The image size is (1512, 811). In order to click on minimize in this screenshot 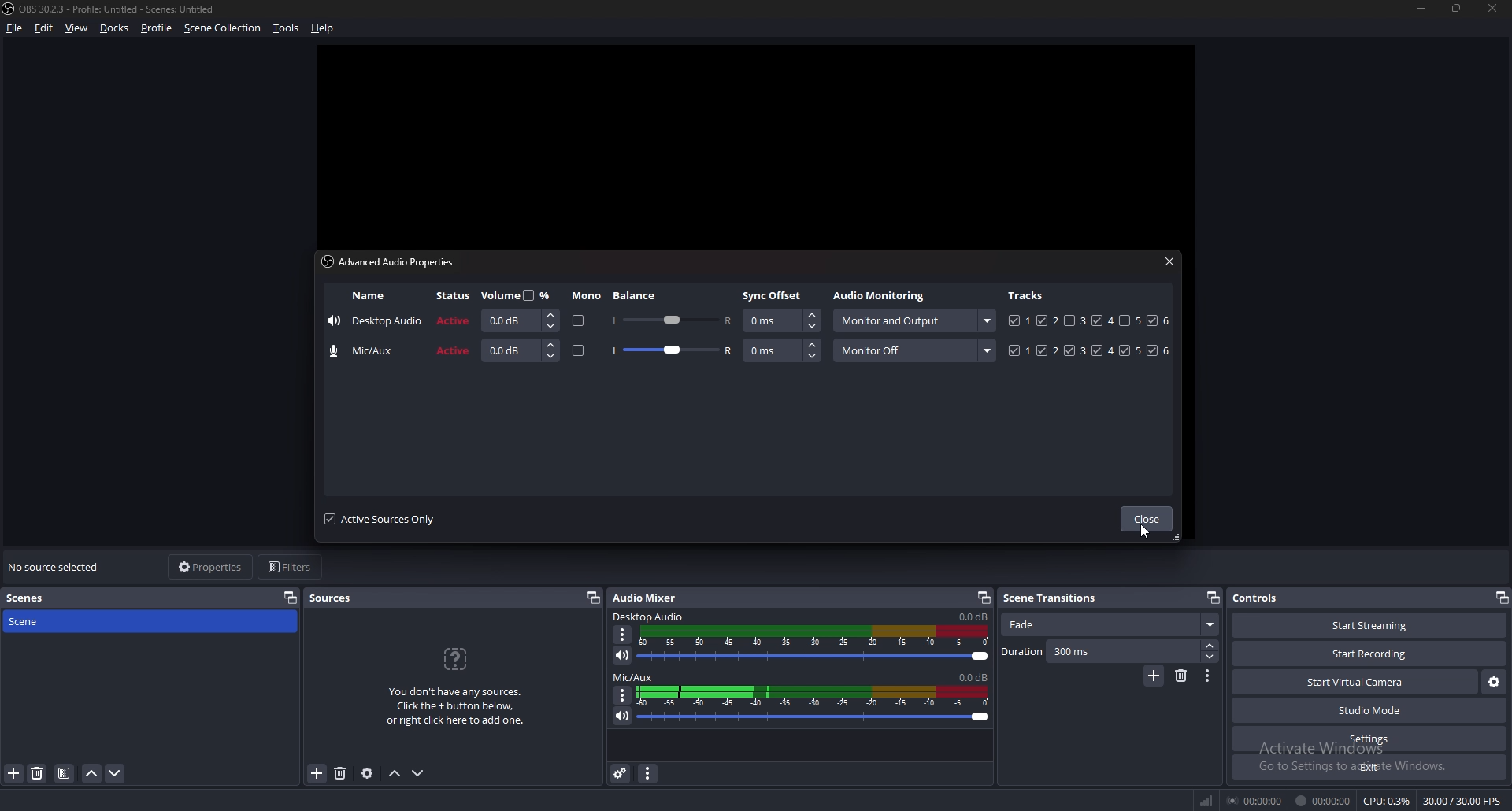, I will do `click(1421, 9)`.